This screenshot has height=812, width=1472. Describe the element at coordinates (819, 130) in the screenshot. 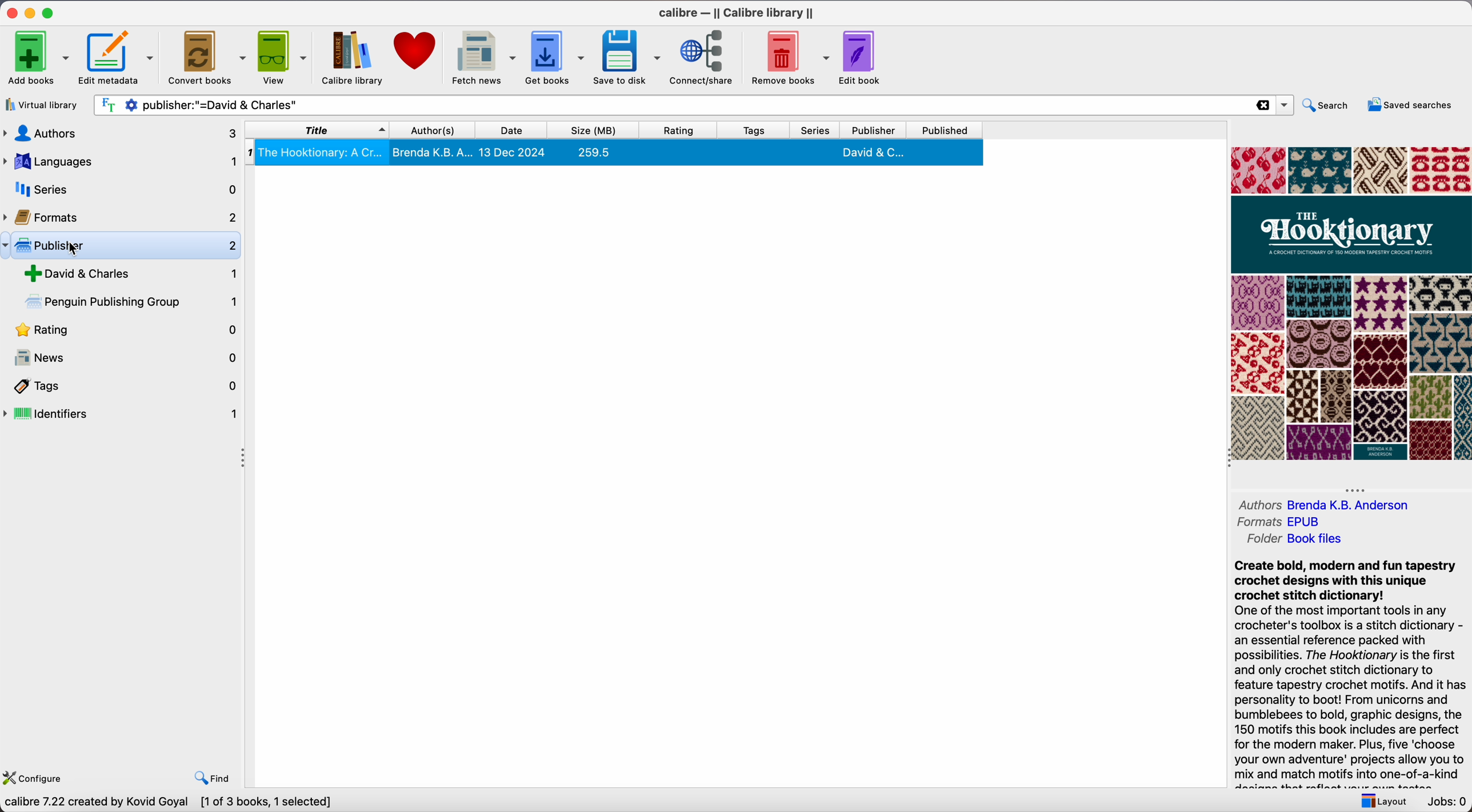

I see `series` at that location.